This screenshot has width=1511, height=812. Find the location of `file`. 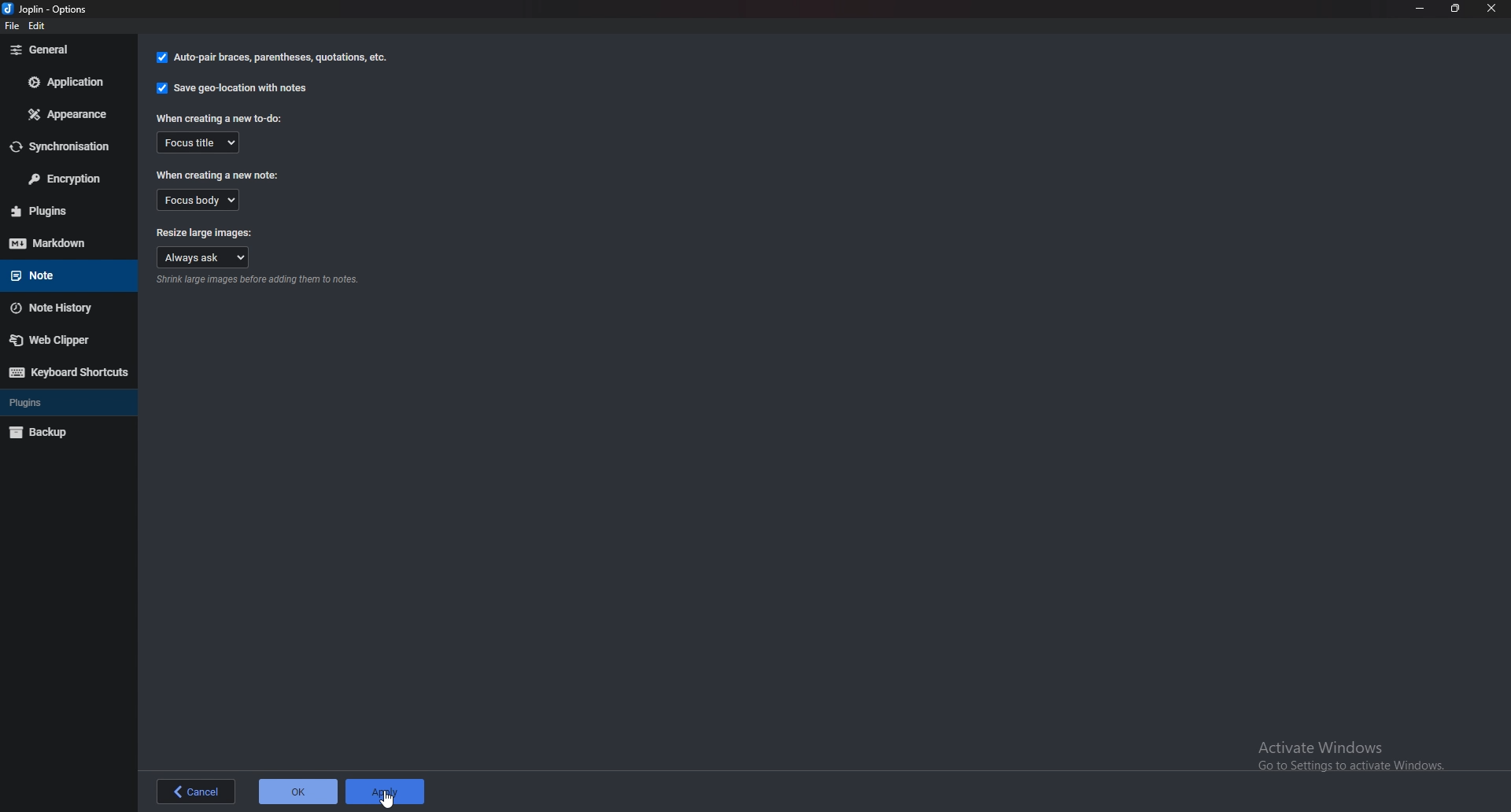

file is located at coordinates (13, 28).